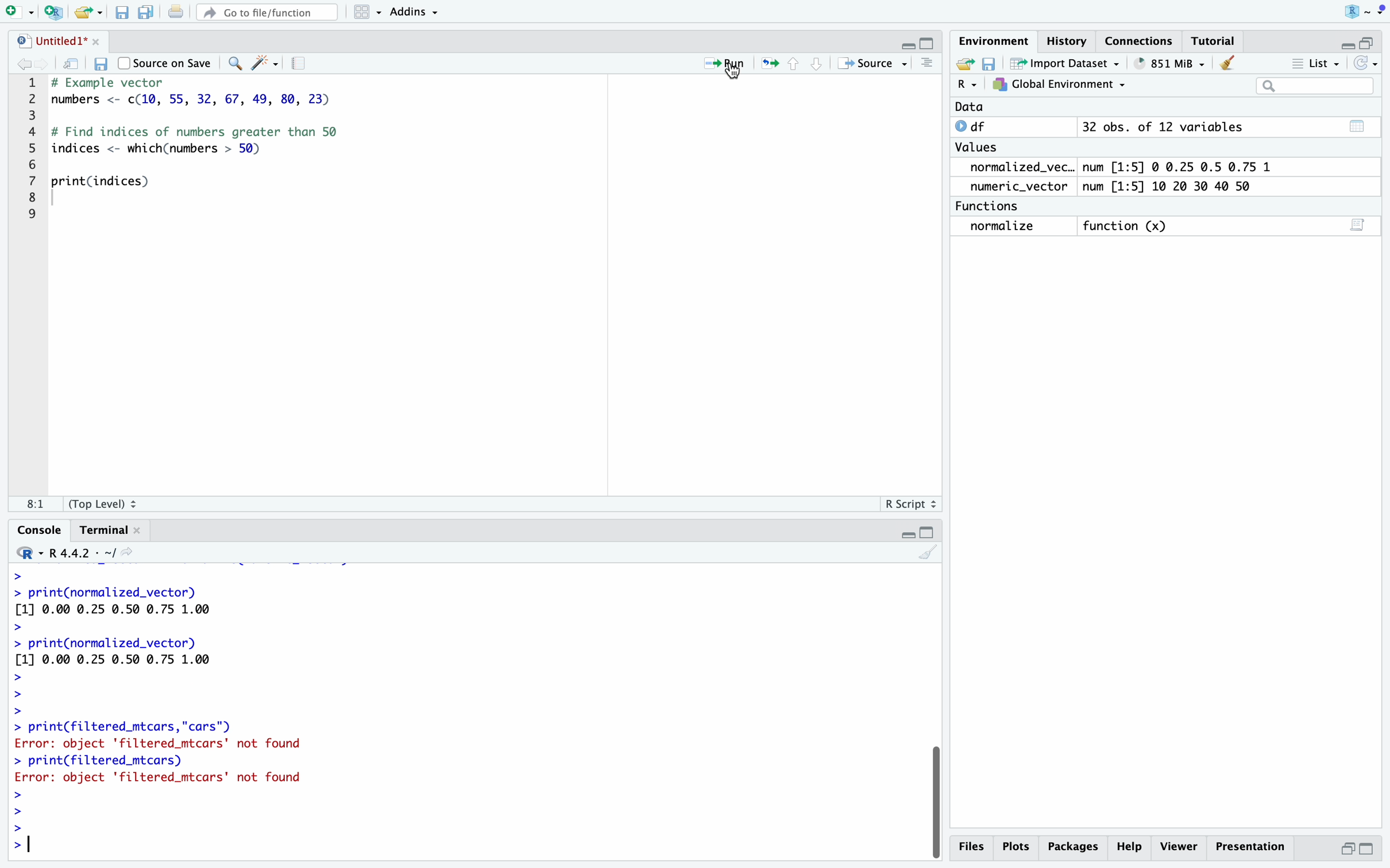 The height and width of the screenshot is (868, 1390). What do you see at coordinates (1368, 848) in the screenshot?
I see `maximise` at bounding box center [1368, 848].